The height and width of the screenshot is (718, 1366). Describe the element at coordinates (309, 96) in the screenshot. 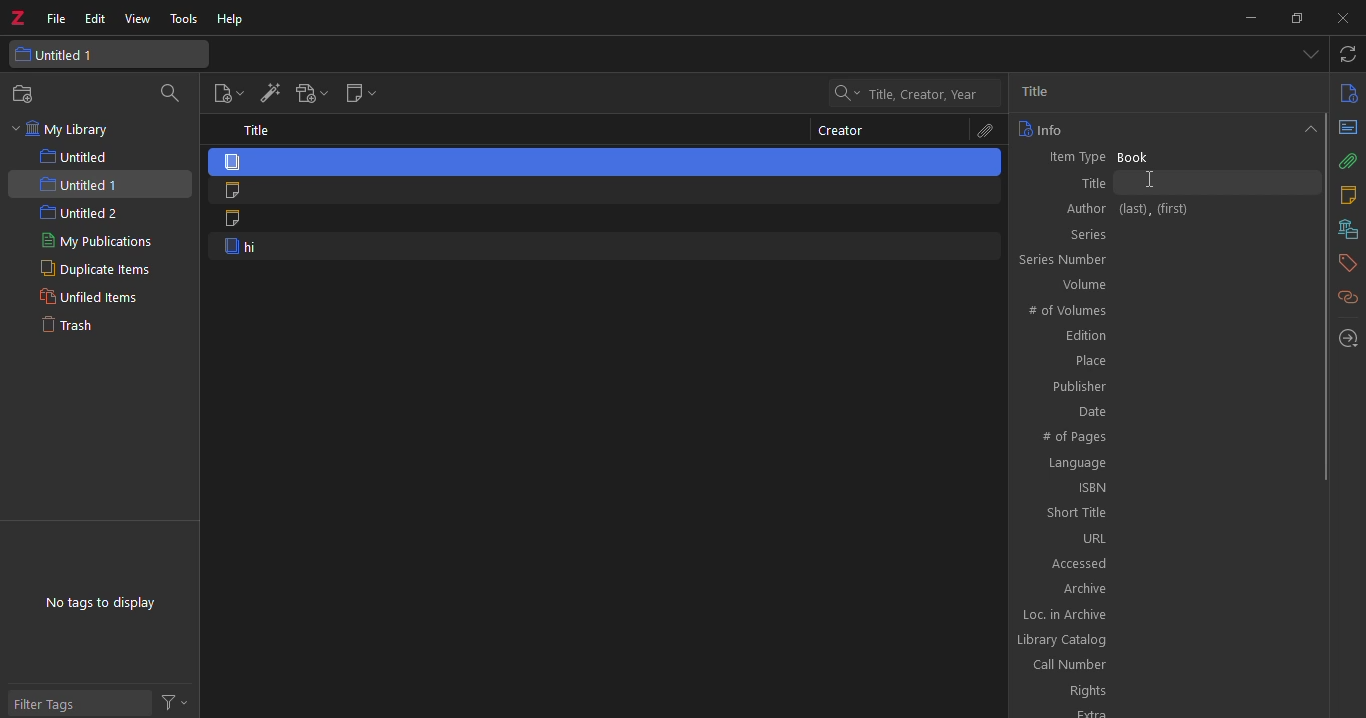

I see `add attach` at that location.